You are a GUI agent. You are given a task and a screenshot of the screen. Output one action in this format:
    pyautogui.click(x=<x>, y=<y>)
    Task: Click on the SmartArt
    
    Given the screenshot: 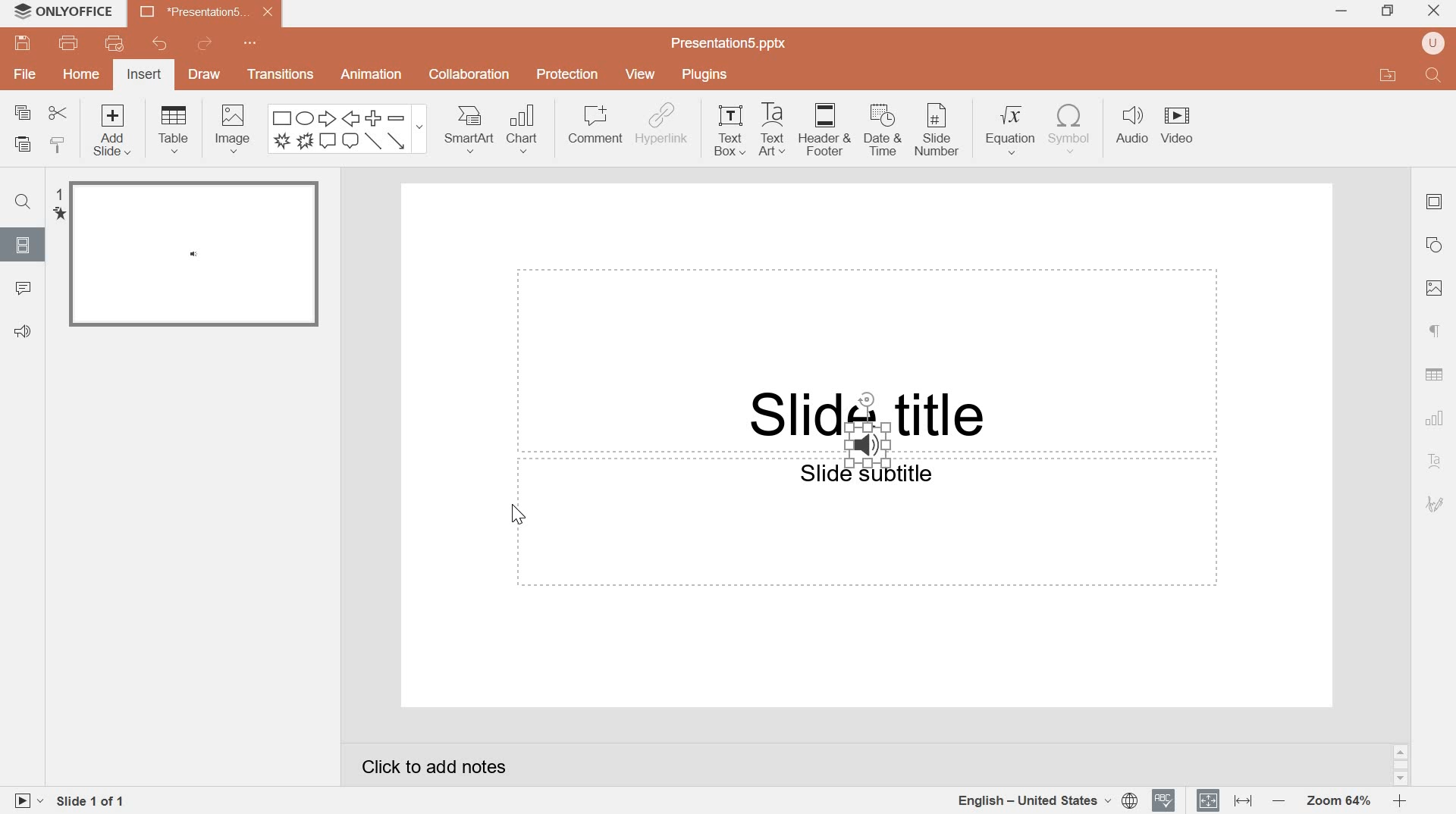 What is the action you would take?
    pyautogui.click(x=469, y=129)
    